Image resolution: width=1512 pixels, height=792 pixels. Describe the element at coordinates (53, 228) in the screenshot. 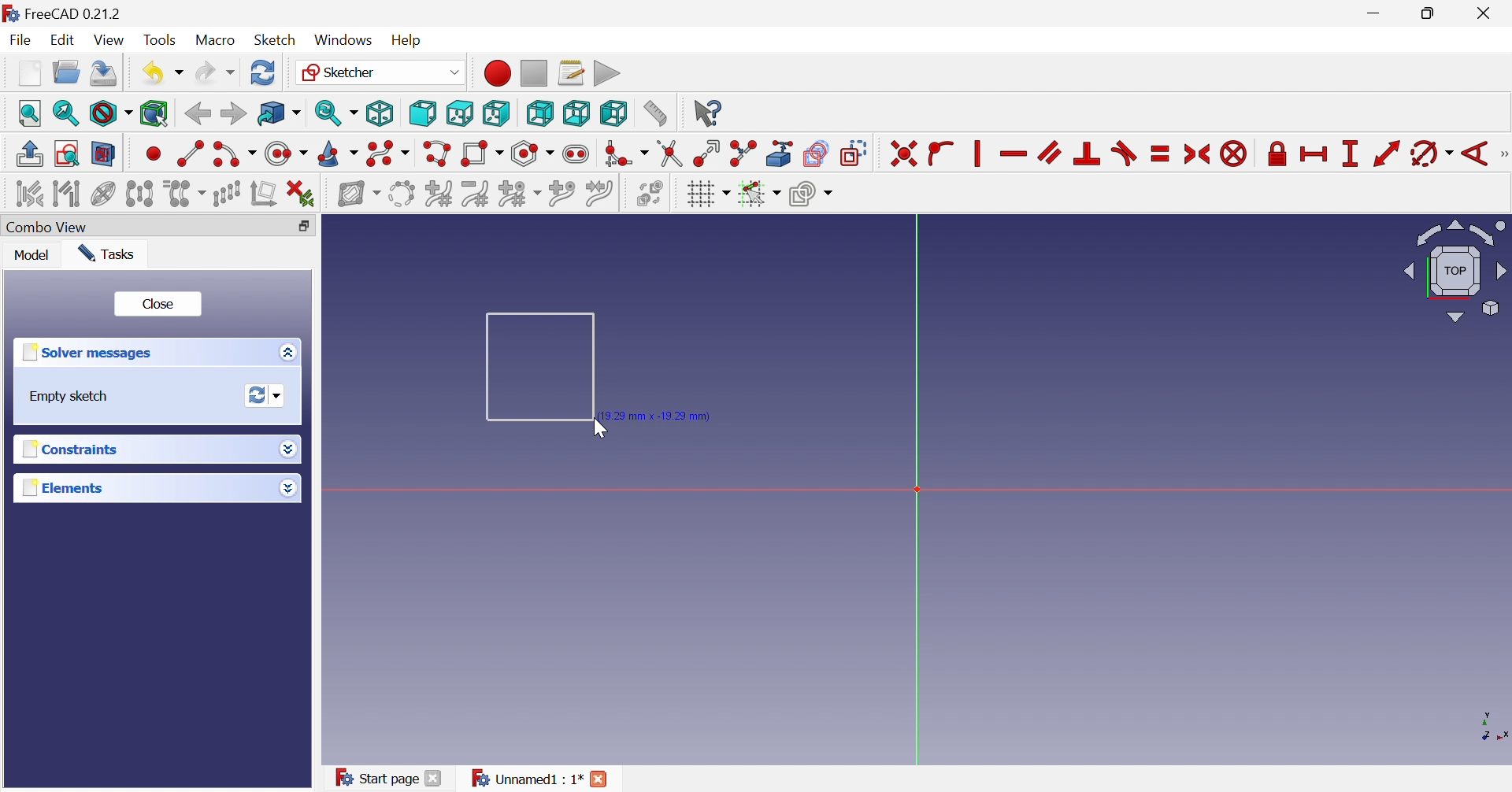

I see `Combo view` at that location.